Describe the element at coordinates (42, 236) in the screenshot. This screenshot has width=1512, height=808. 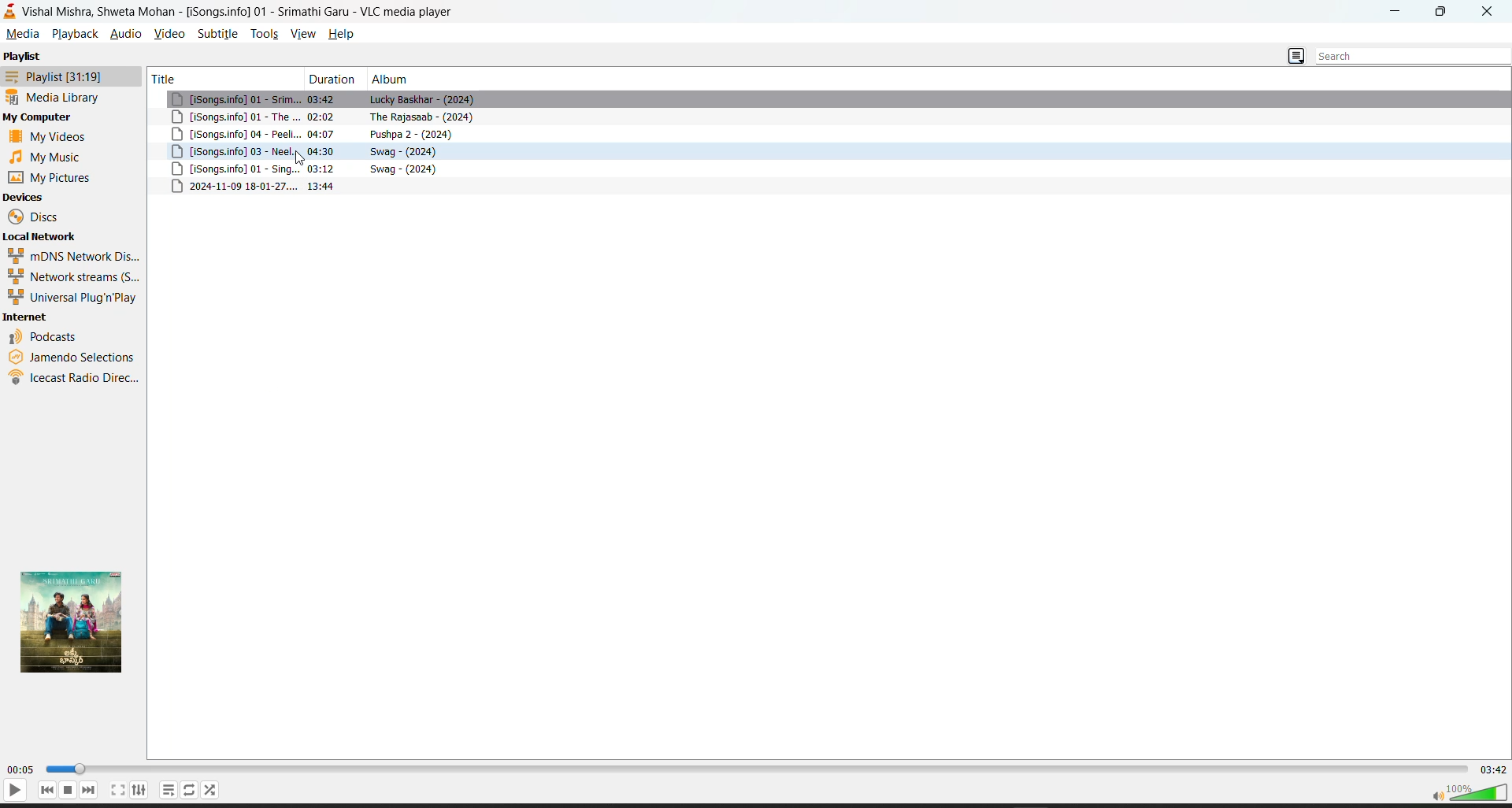
I see `local network` at that location.